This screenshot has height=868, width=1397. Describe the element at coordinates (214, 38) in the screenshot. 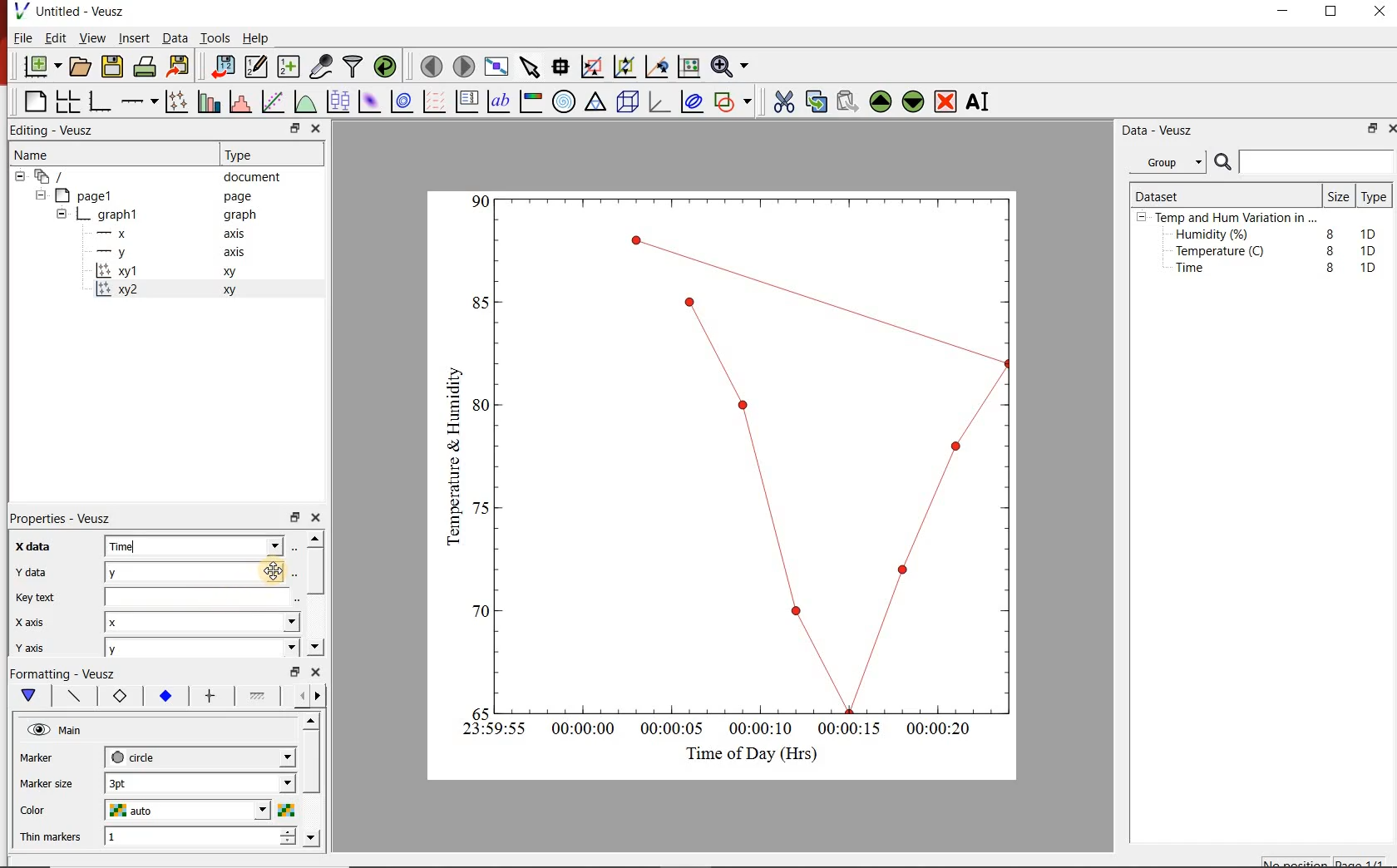

I see `Tools` at that location.